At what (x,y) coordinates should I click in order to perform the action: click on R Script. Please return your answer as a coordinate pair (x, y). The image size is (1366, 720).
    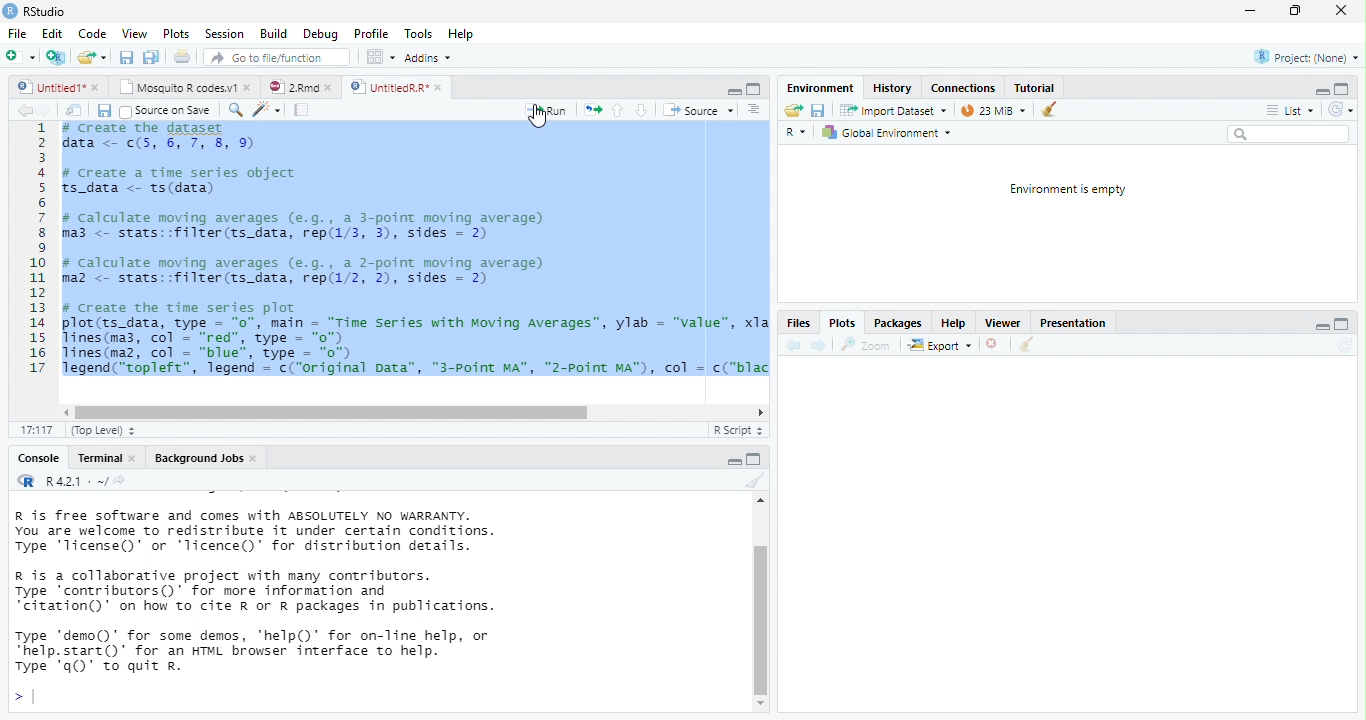
    Looking at the image, I should click on (736, 430).